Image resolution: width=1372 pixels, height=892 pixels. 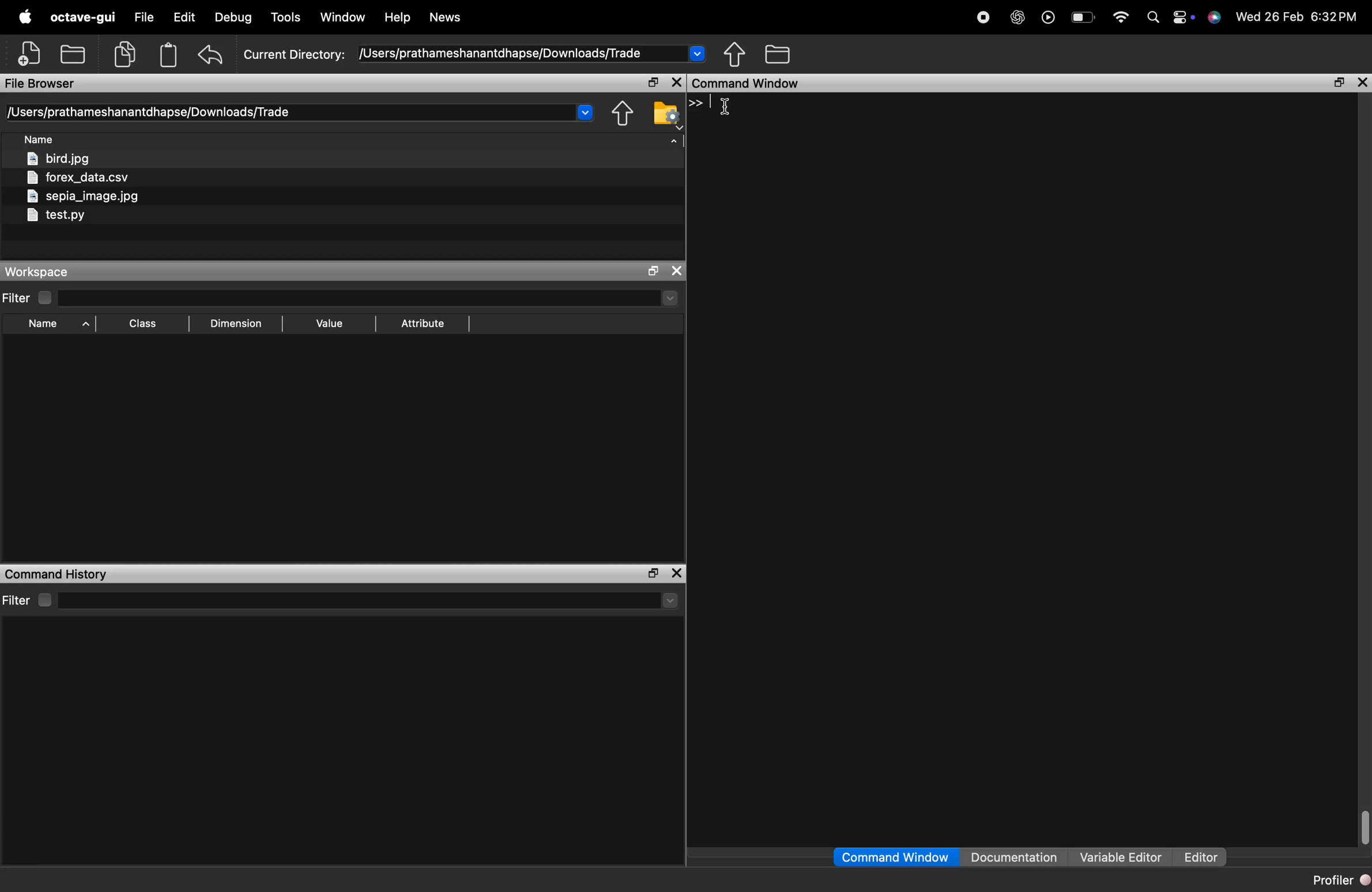 I want to click on support, so click(x=1216, y=18).